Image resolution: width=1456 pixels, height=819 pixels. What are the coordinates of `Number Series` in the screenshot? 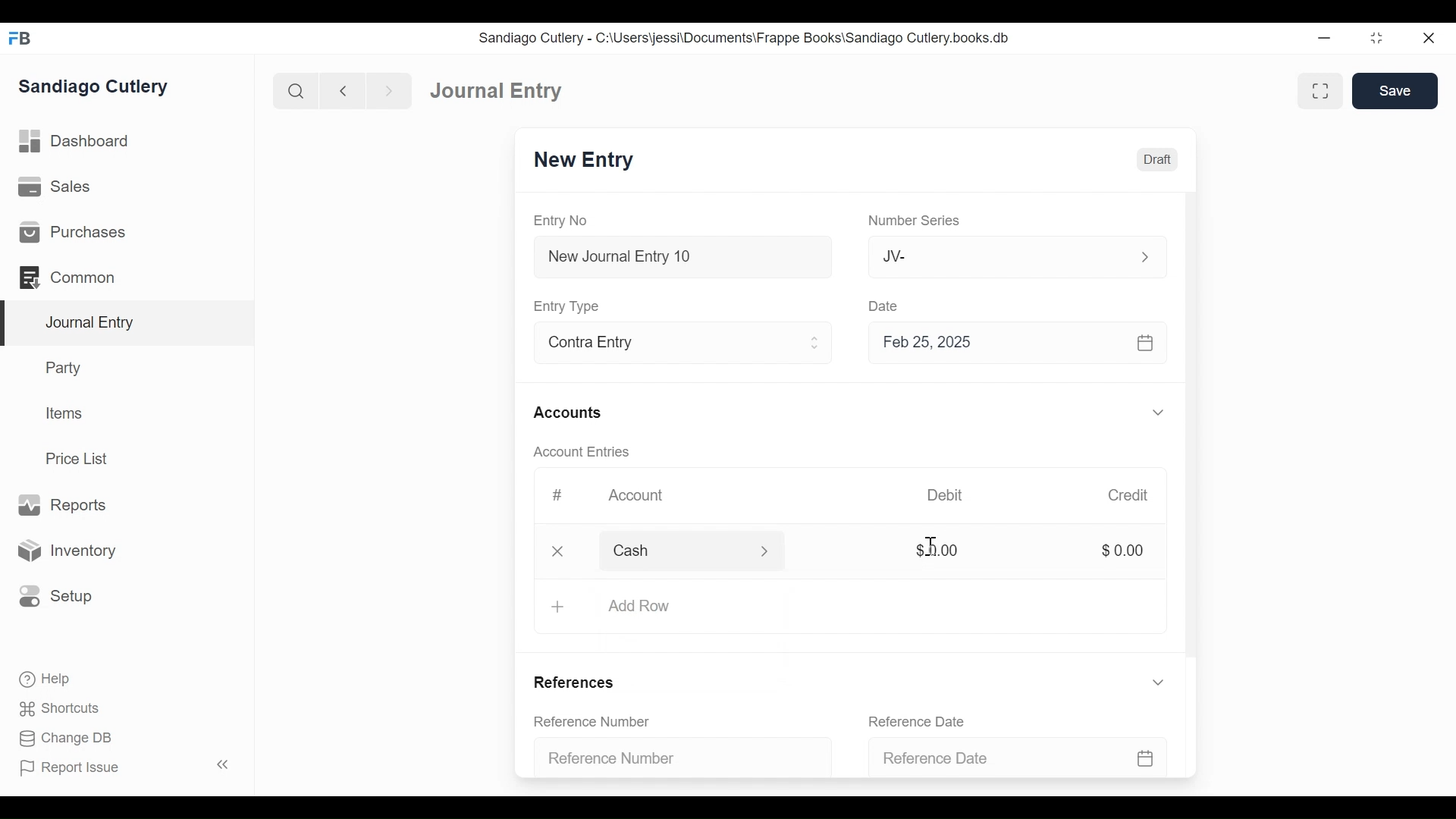 It's located at (917, 221).